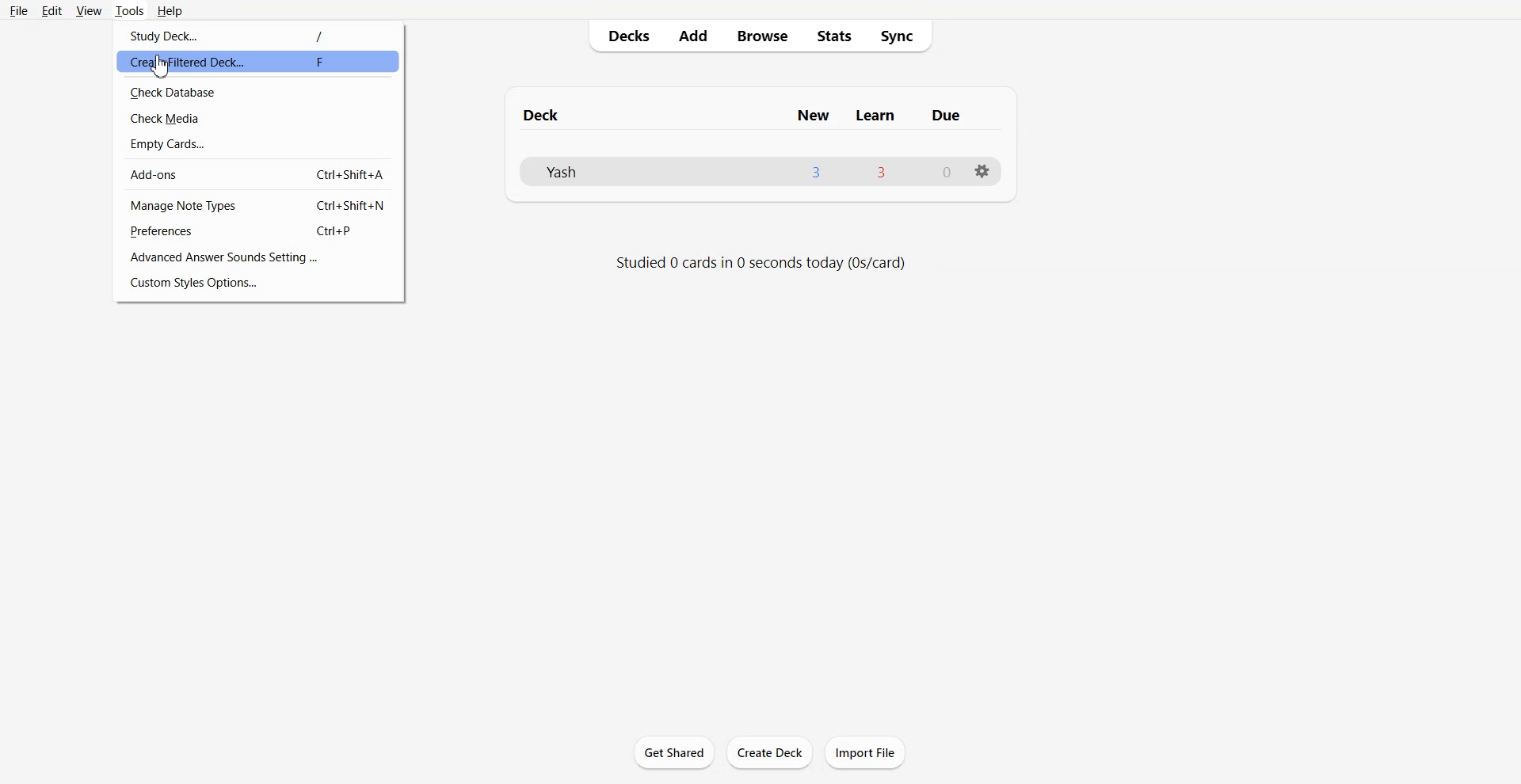  What do you see at coordinates (257, 62) in the screenshot?
I see `Create Filtered Deck` at bounding box center [257, 62].